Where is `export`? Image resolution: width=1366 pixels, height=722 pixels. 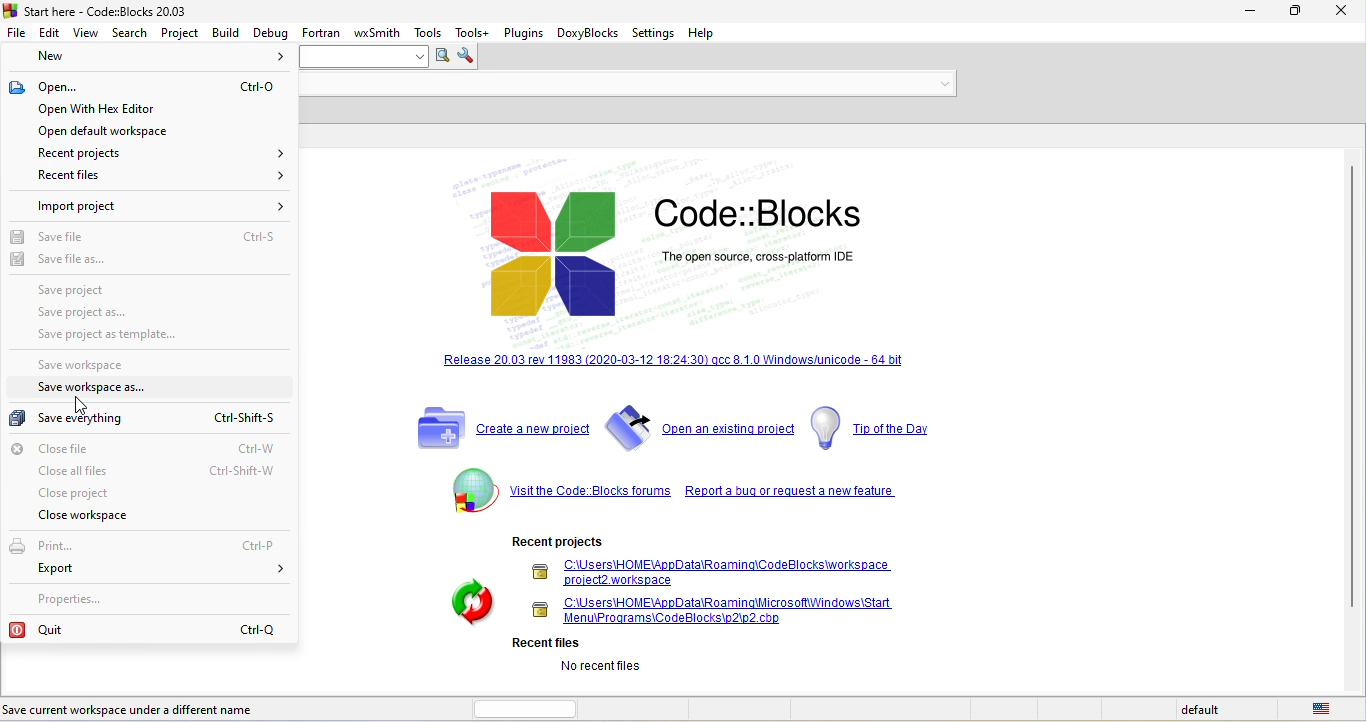
export is located at coordinates (163, 571).